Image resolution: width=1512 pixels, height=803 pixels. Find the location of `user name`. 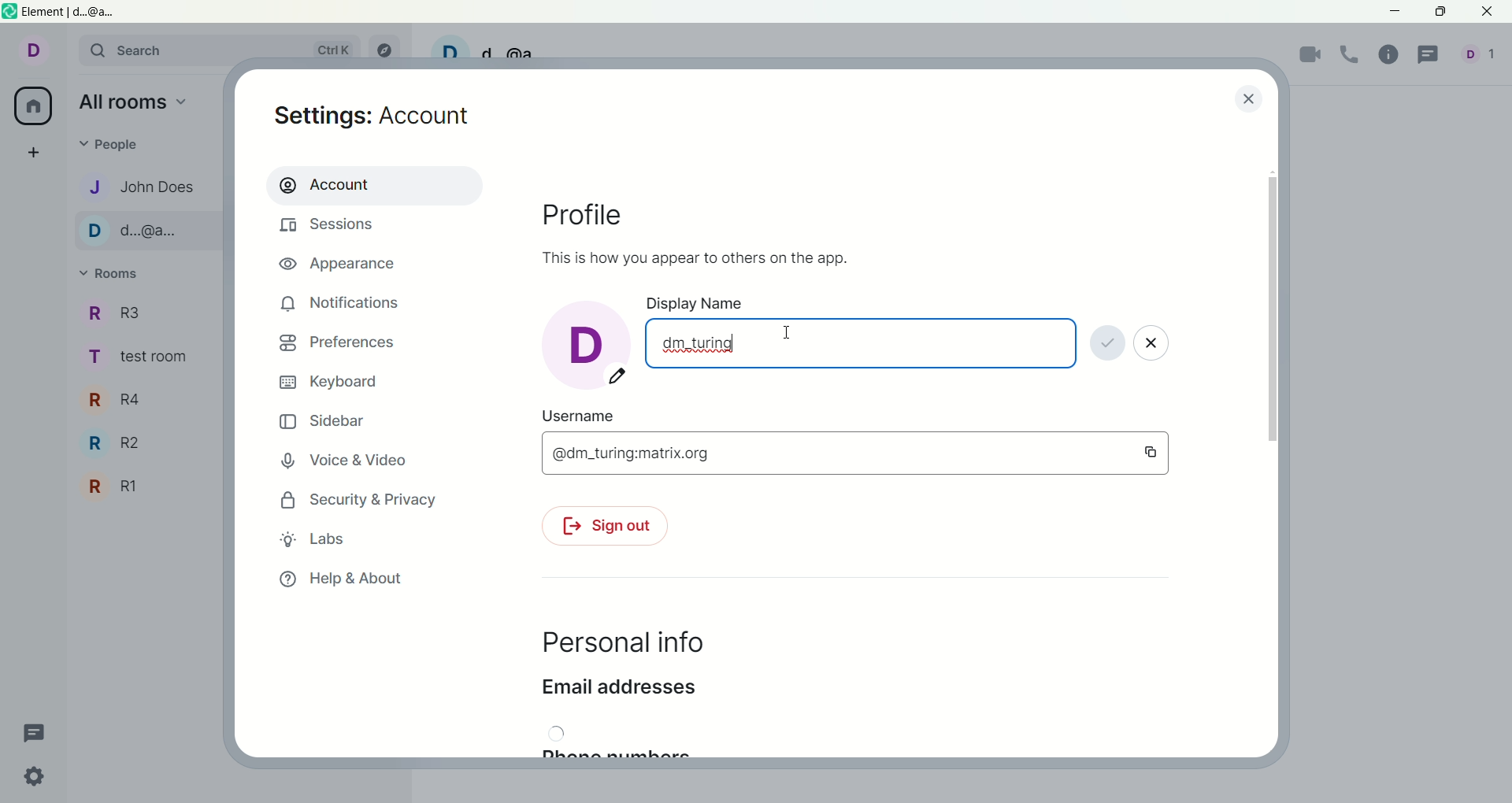

user name is located at coordinates (596, 416).